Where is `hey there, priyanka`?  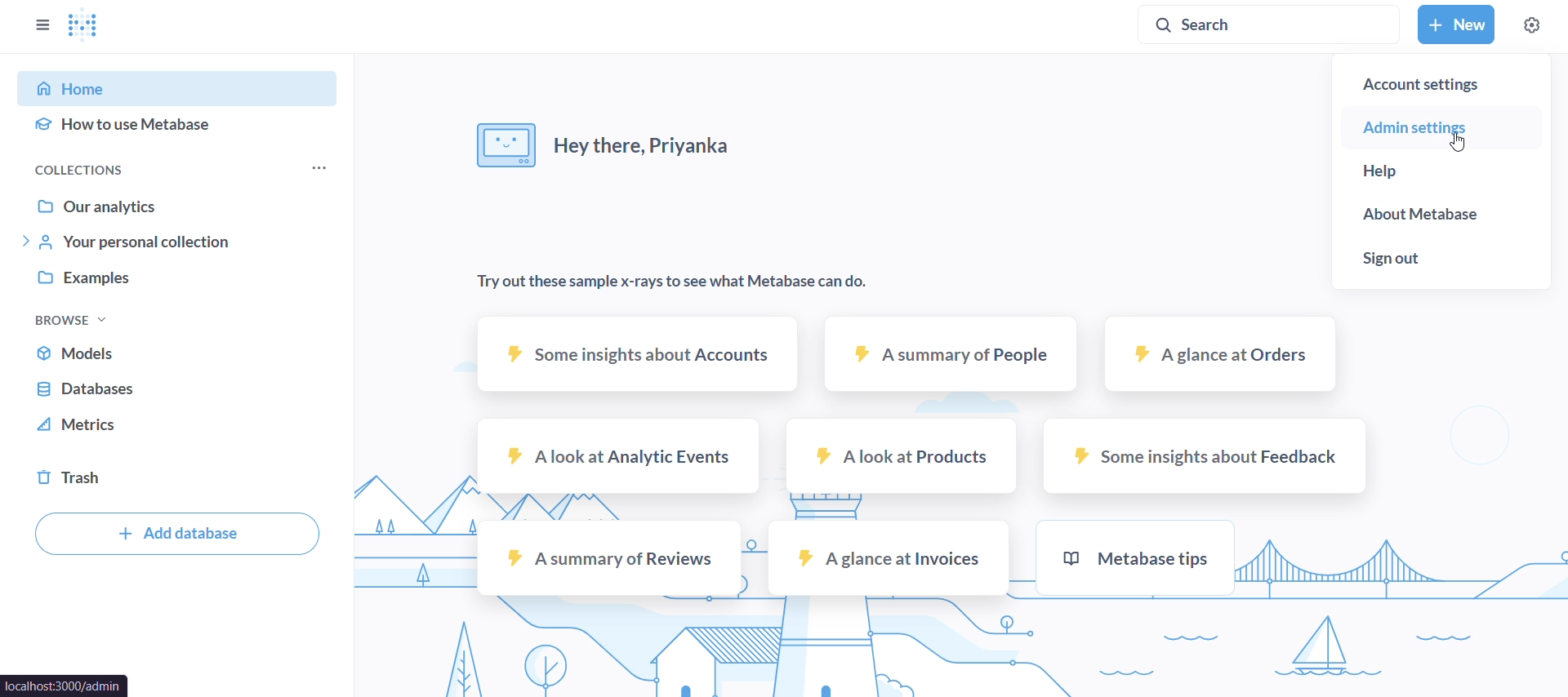 hey there, priyanka is located at coordinates (603, 139).